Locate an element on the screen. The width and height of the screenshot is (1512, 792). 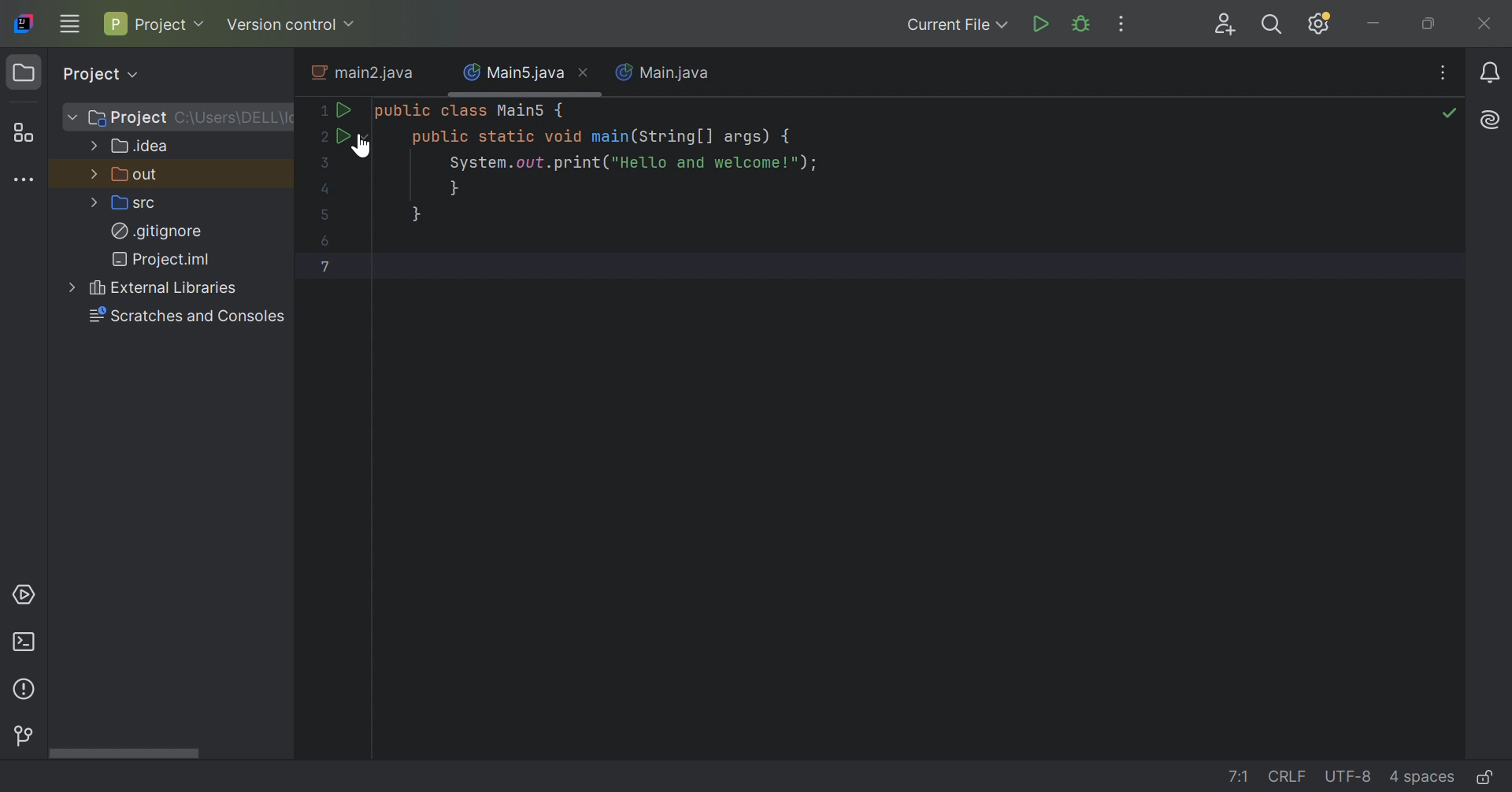
4 spaces is located at coordinates (1423, 779).